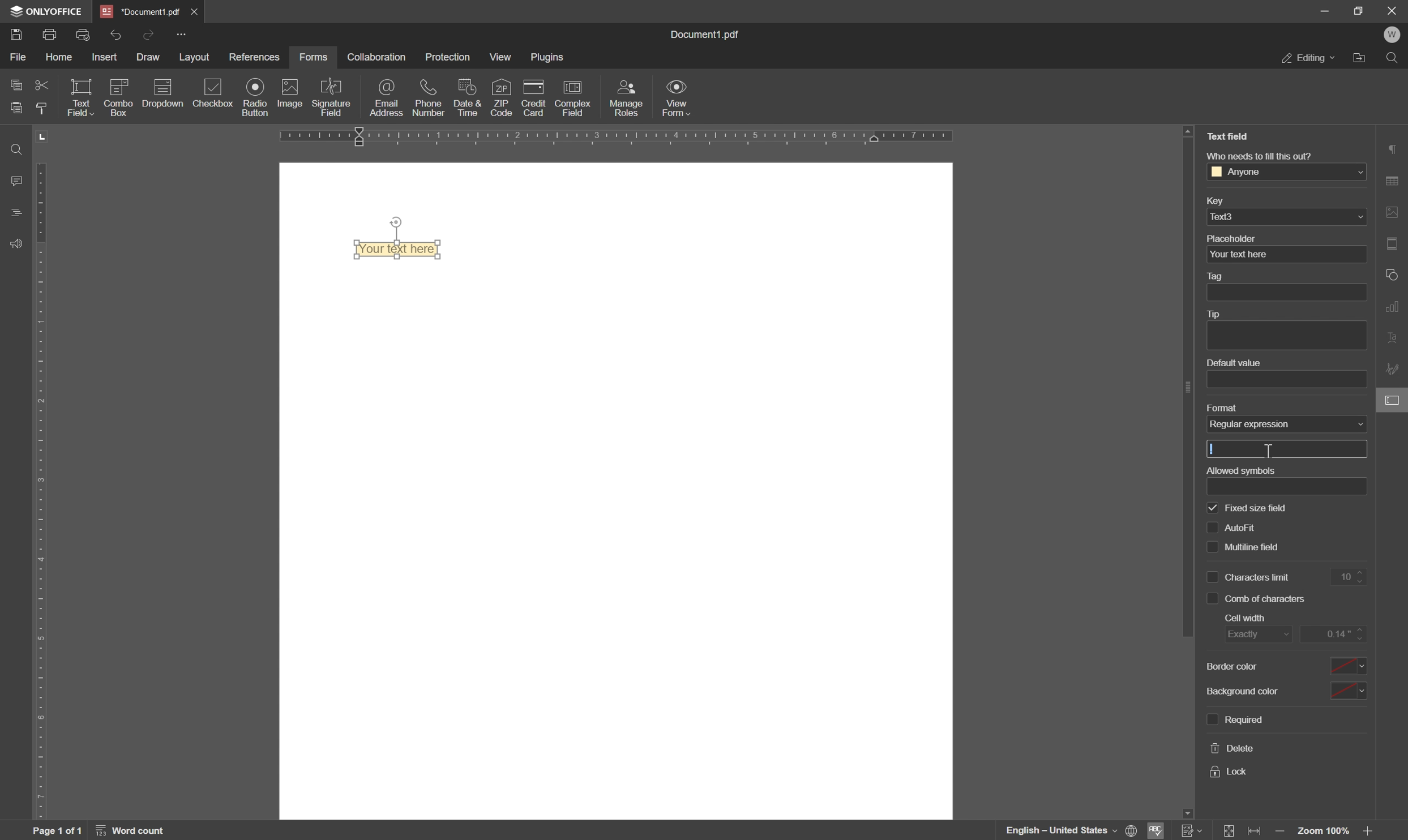 Image resolution: width=1408 pixels, height=840 pixels. Describe the element at coordinates (1357, 173) in the screenshot. I see `drop down` at that location.